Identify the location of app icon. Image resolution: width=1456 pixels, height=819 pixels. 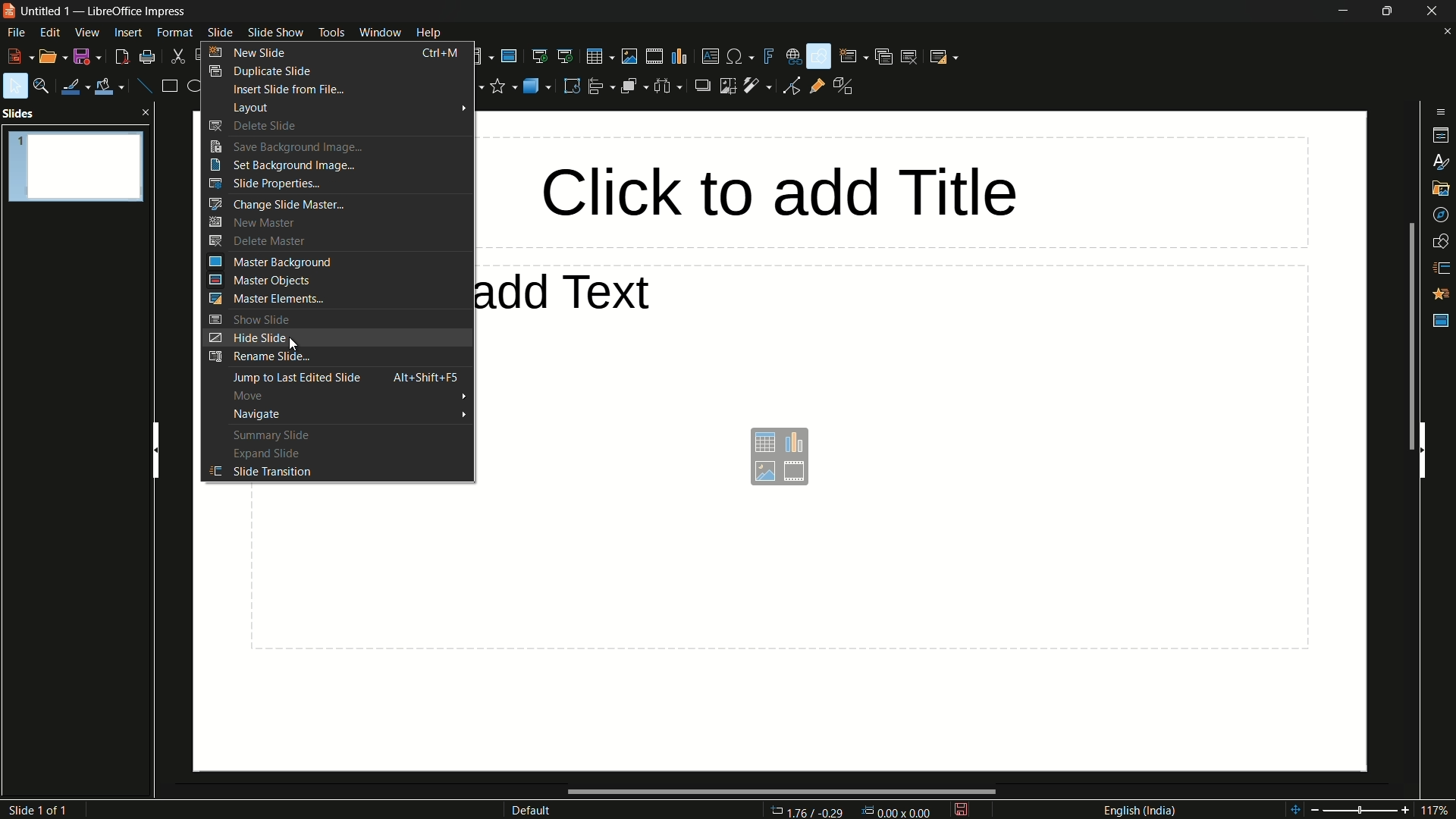
(10, 11).